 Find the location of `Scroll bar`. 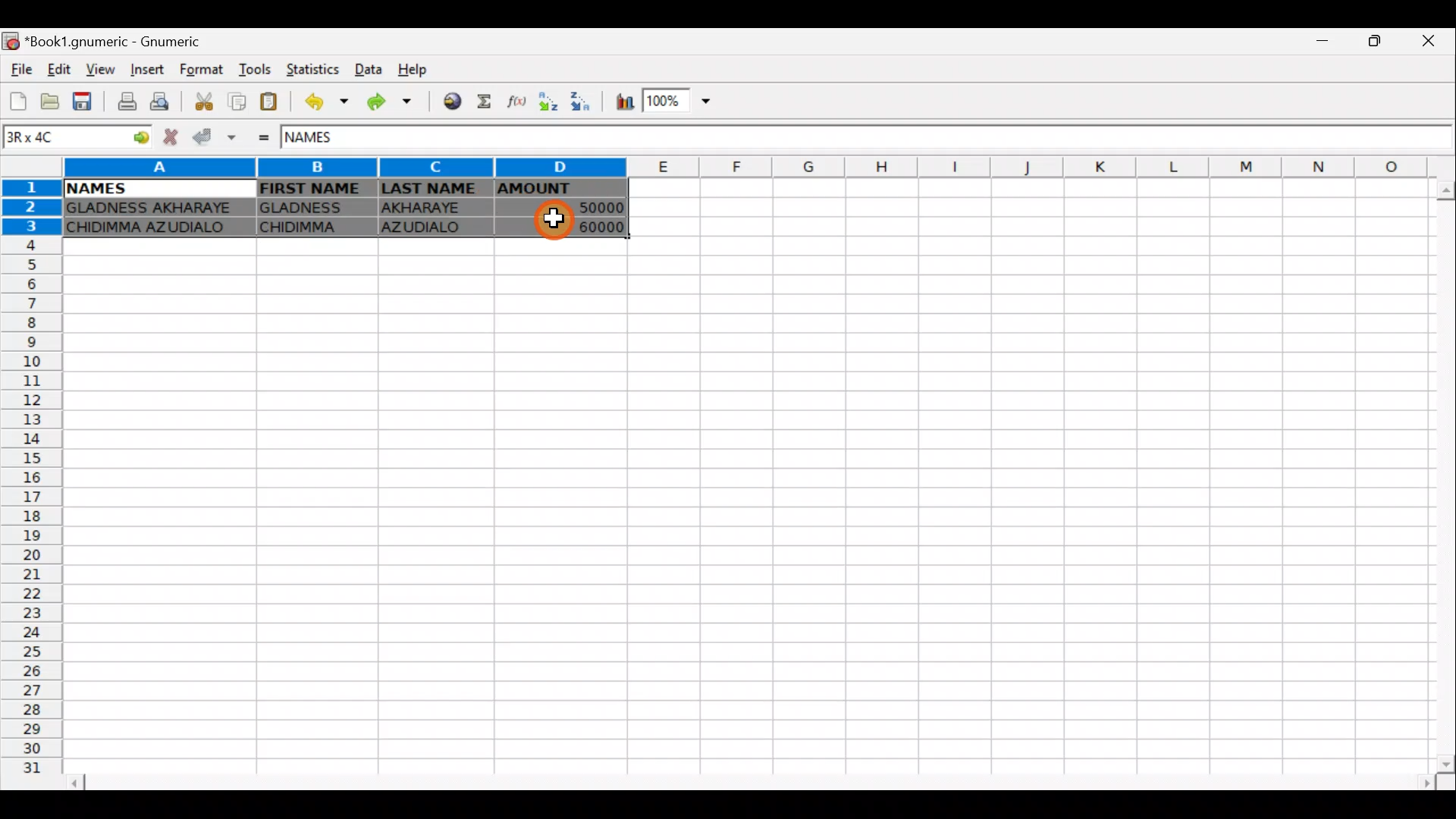

Scroll bar is located at coordinates (749, 783).